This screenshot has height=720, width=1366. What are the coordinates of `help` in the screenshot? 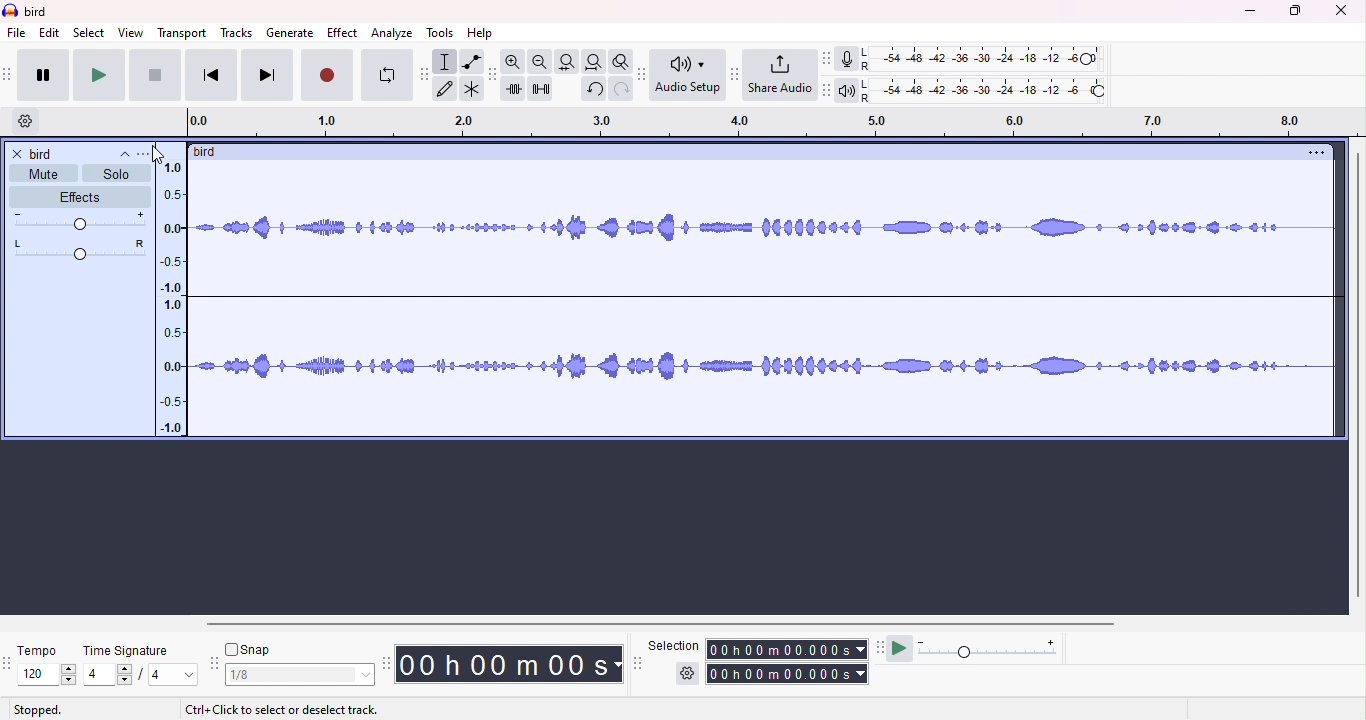 It's located at (479, 32).